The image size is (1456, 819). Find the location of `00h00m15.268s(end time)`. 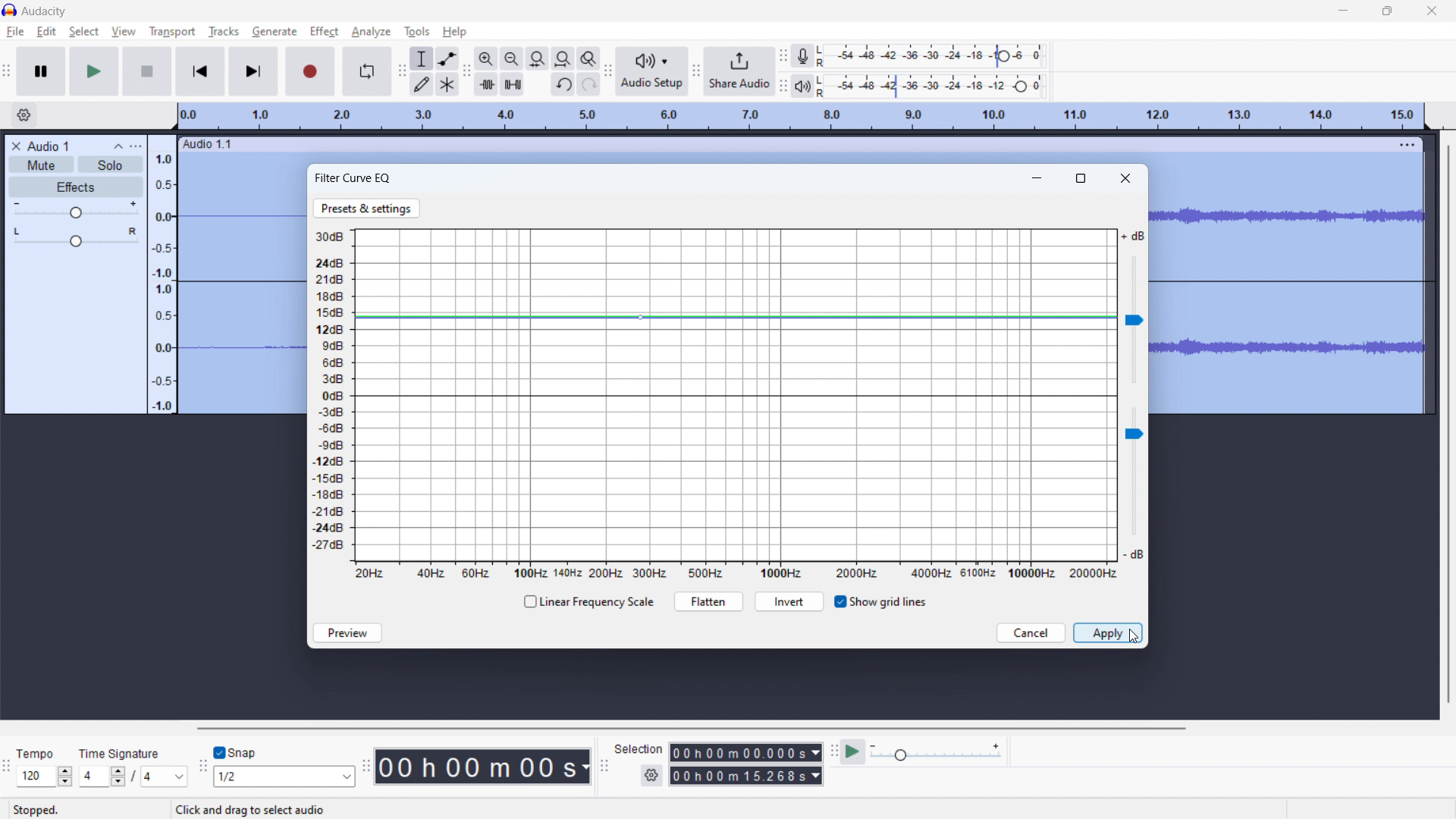

00h00m15.268s(end time) is located at coordinates (745, 776).